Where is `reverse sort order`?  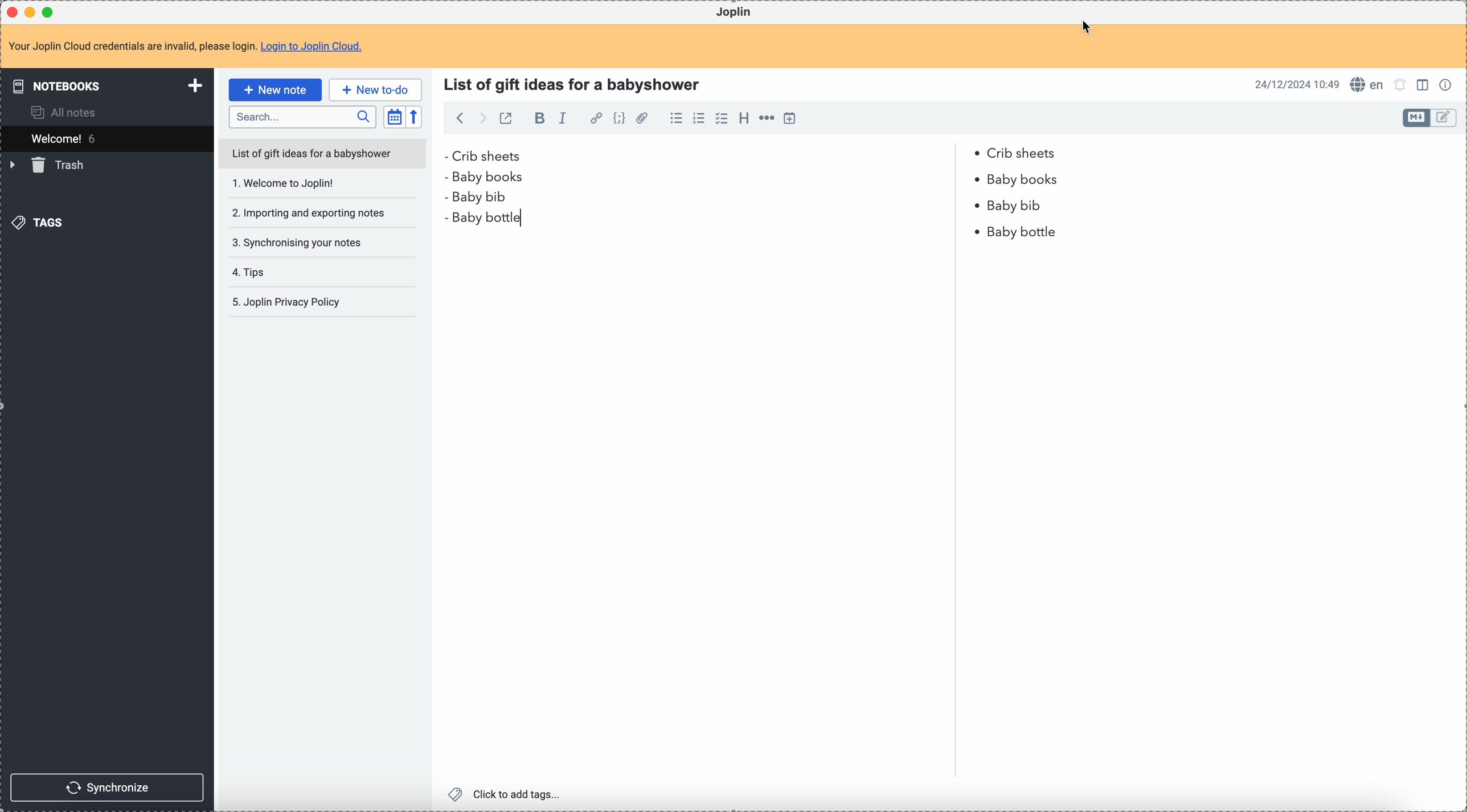 reverse sort order is located at coordinates (413, 118).